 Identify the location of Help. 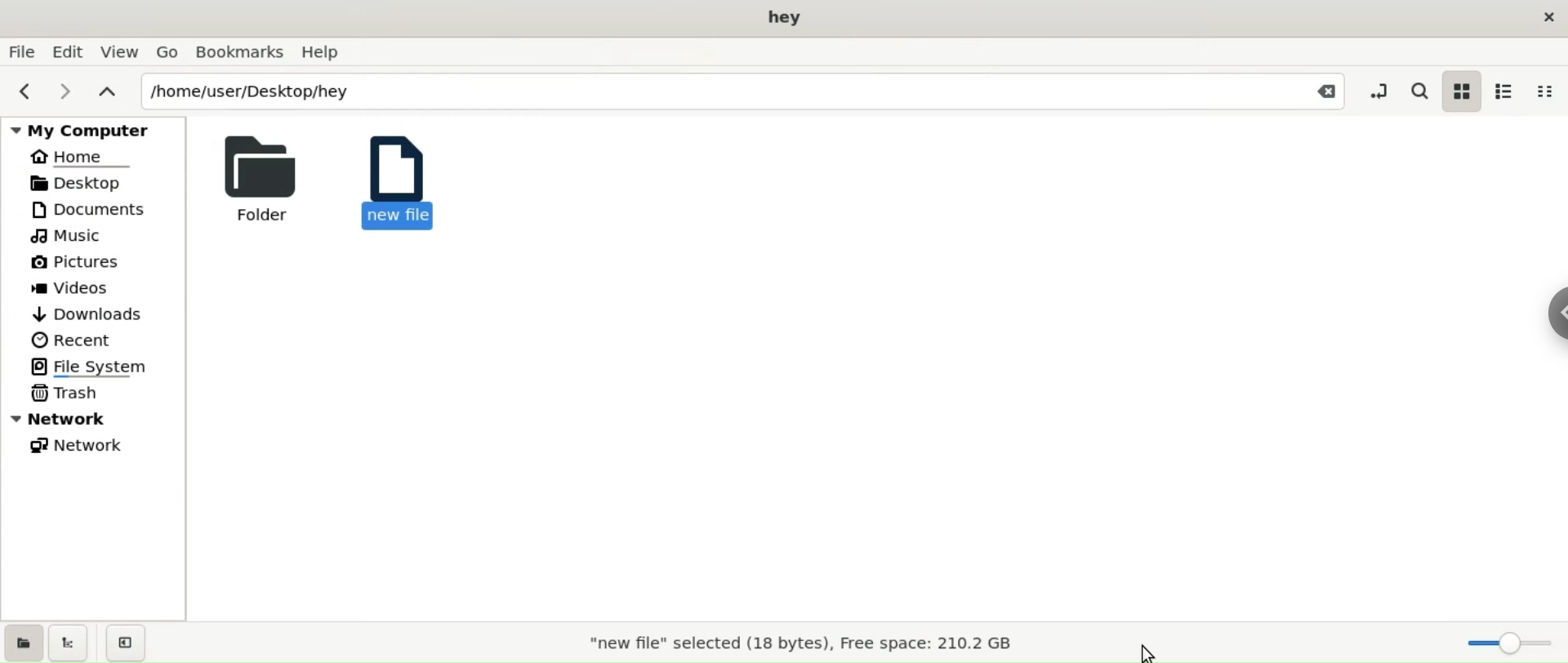
(327, 52).